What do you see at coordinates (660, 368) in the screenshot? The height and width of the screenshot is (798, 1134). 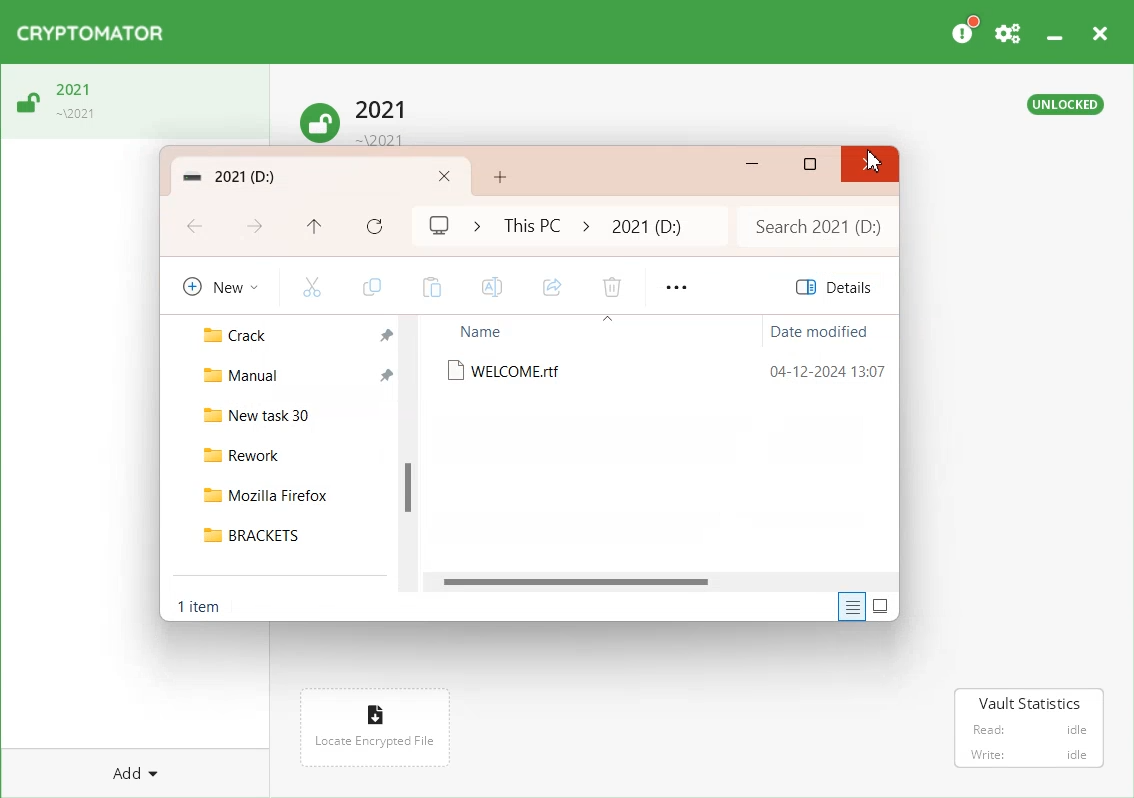 I see `WELCOME.rtf` at bounding box center [660, 368].